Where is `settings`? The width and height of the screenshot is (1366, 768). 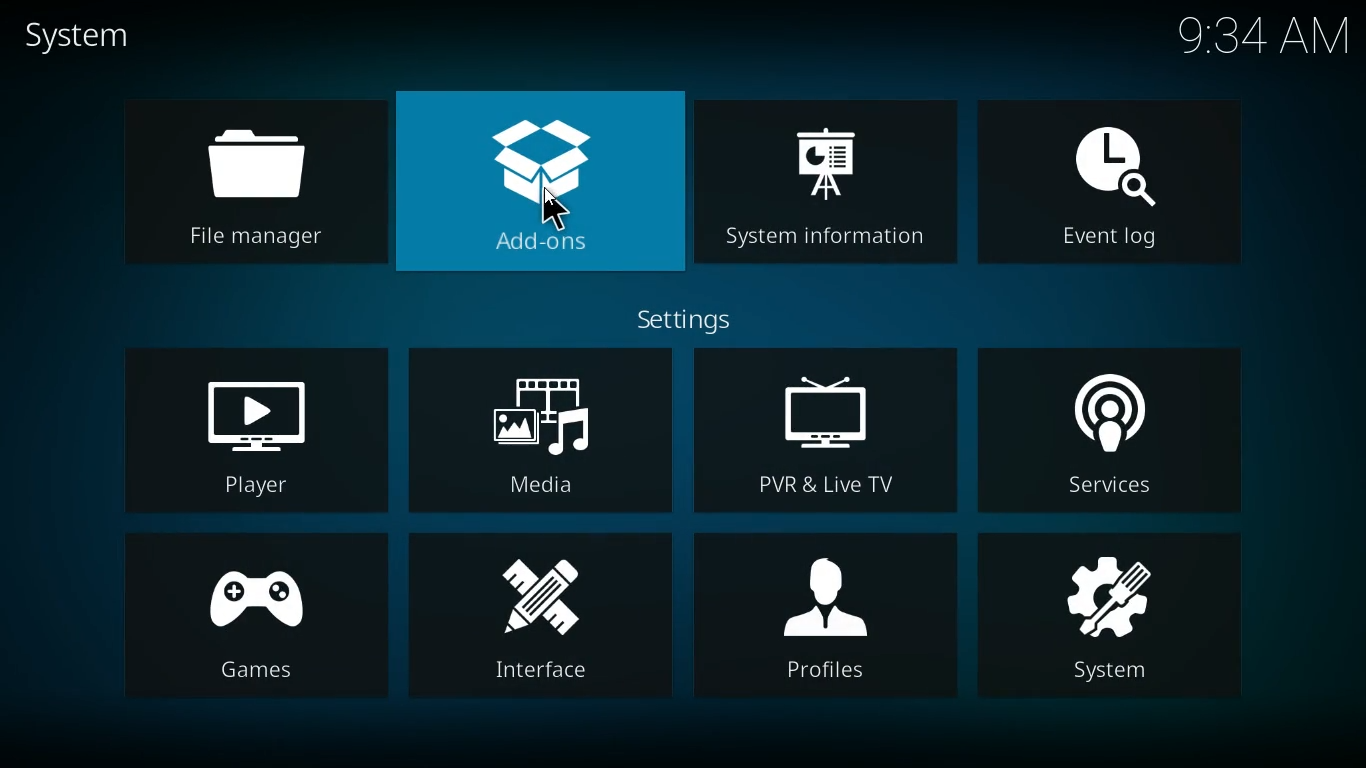
settings is located at coordinates (683, 319).